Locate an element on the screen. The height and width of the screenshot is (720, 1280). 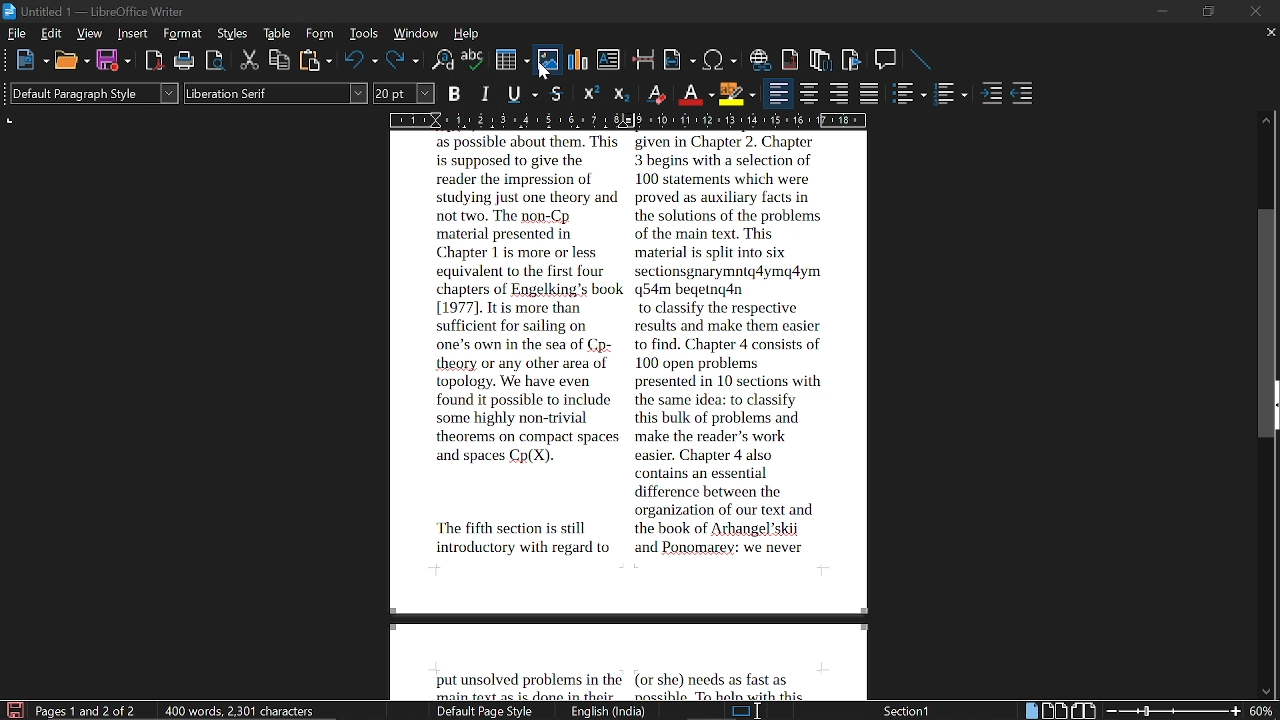
find and replace is located at coordinates (444, 59).